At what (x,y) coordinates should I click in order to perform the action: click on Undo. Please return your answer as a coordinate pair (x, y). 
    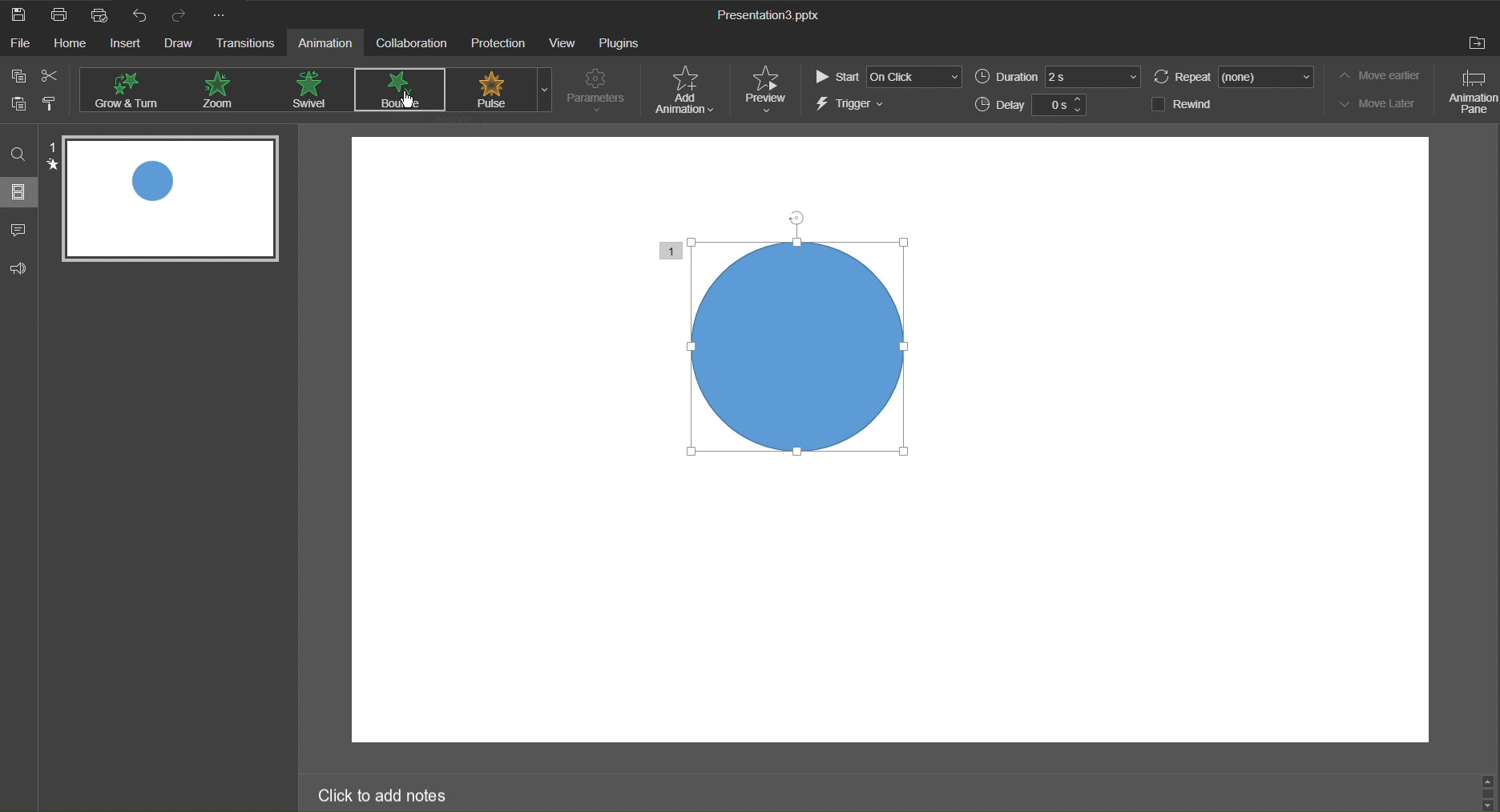
    Looking at the image, I should click on (137, 15).